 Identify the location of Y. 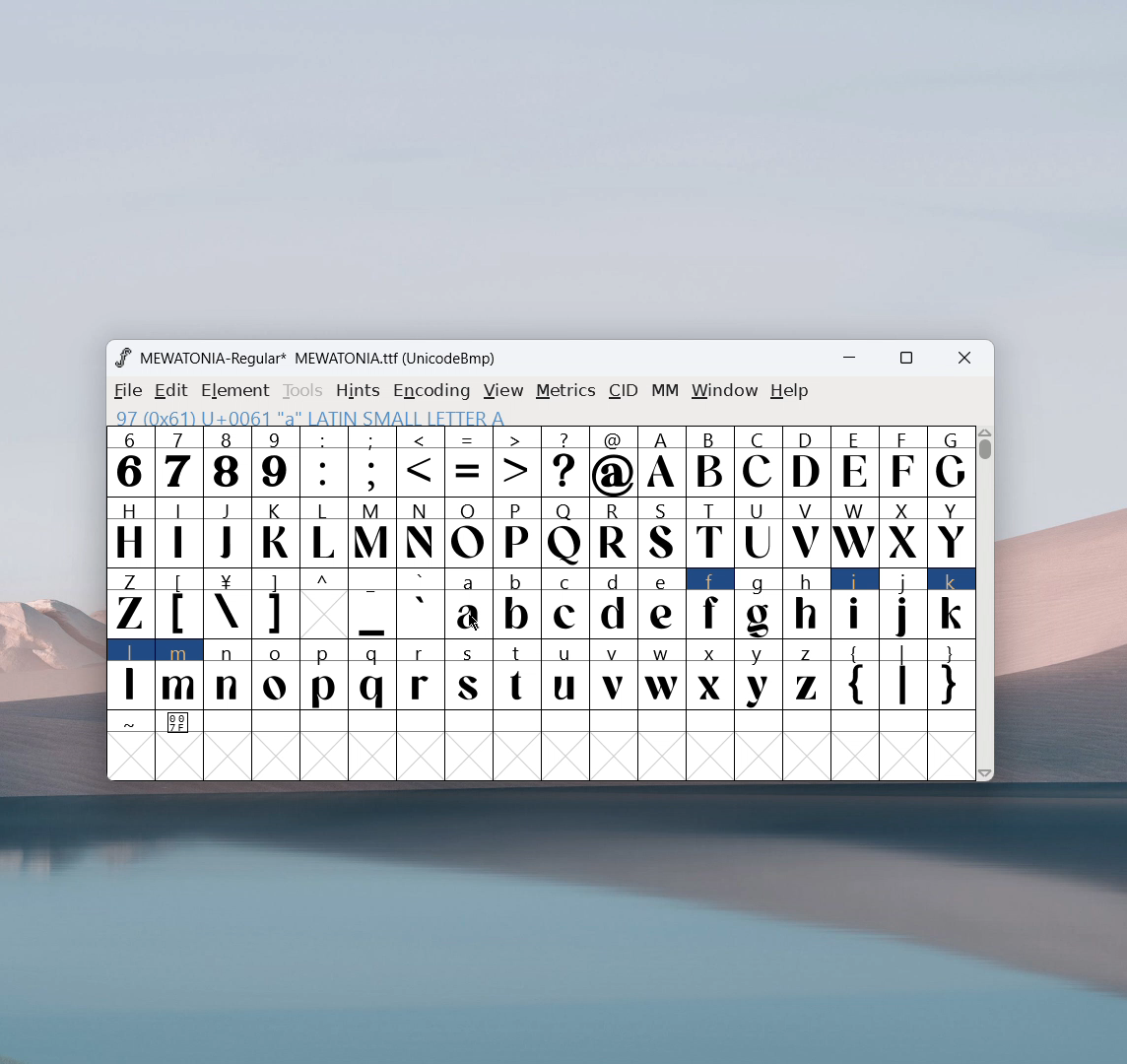
(952, 531).